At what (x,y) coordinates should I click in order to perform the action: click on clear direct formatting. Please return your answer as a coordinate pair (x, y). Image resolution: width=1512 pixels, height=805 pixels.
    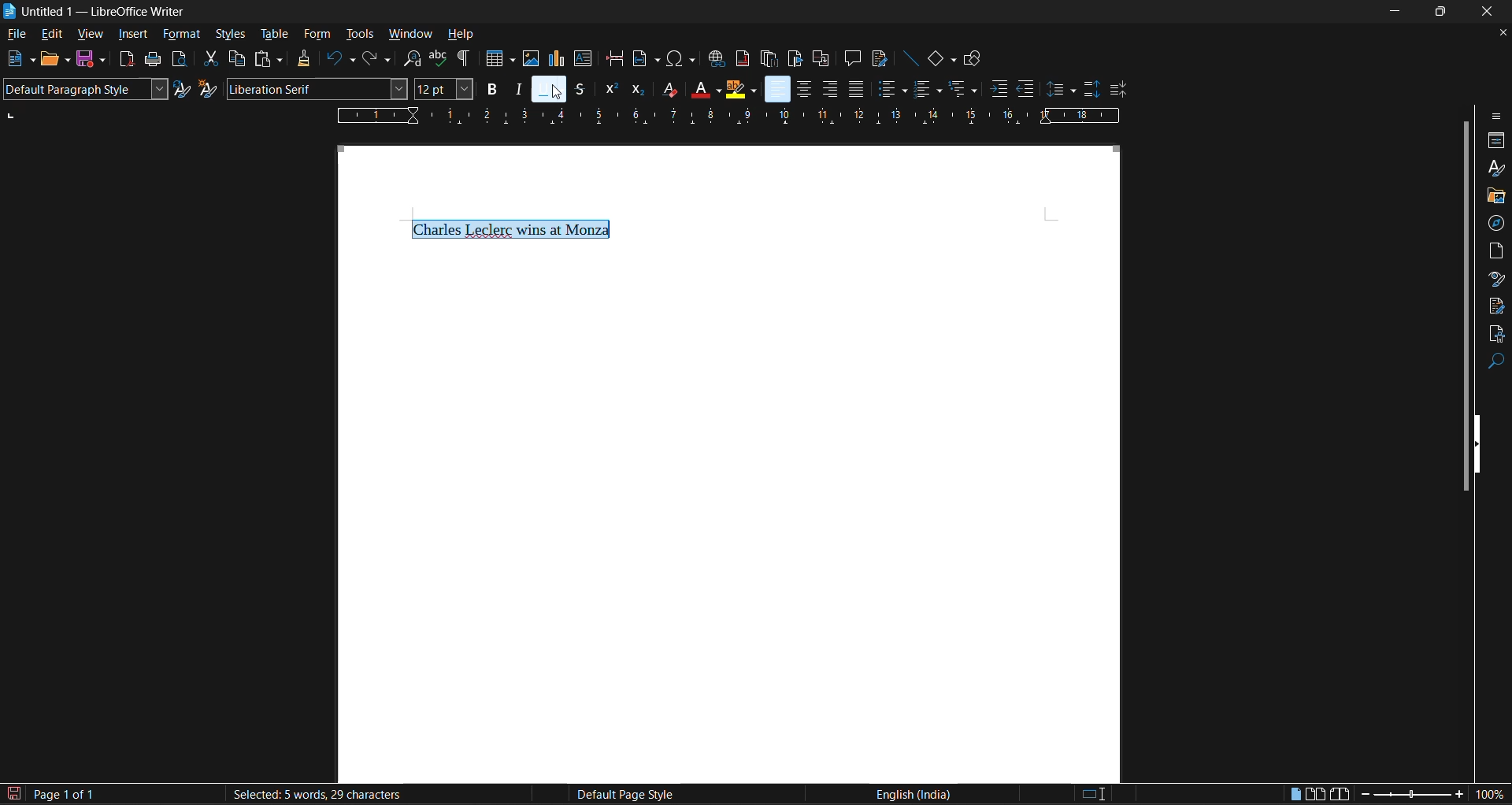
    Looking at the image, I should click on (666, 88).